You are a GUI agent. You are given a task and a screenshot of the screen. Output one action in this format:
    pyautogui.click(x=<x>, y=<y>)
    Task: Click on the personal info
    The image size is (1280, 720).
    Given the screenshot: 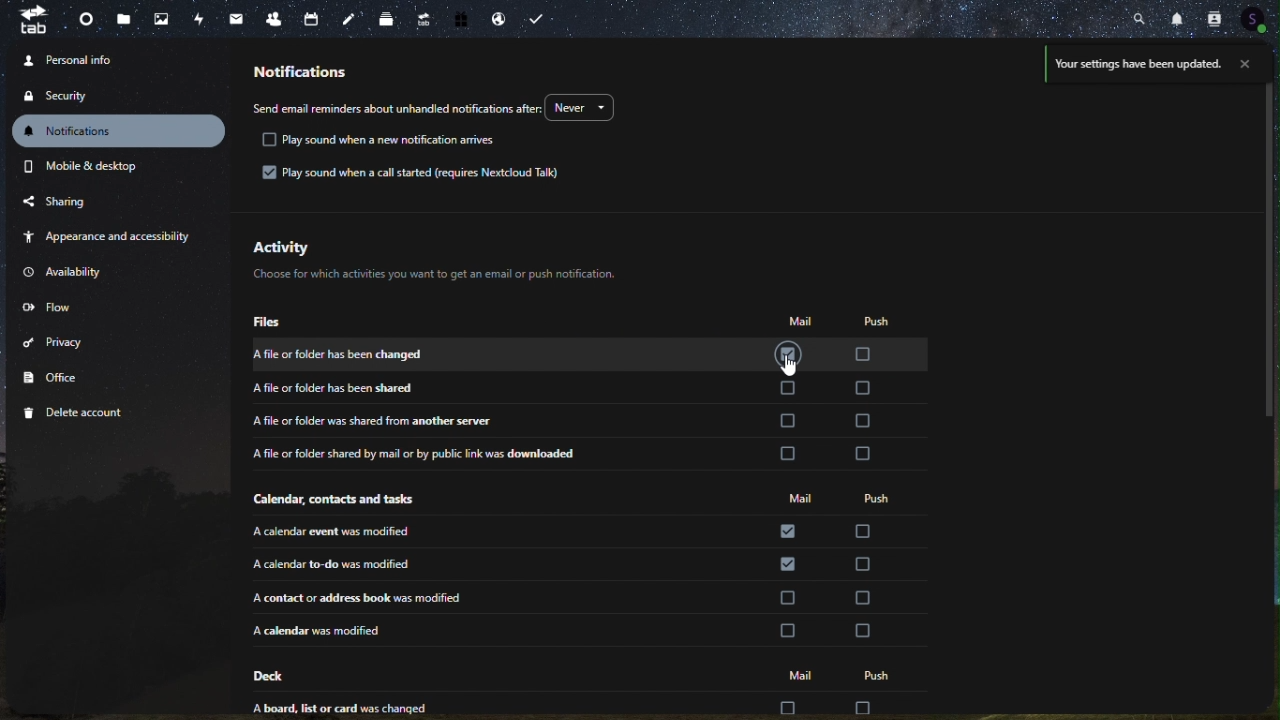 What is the action you would take?
    pyautogui.click(x=118, y=61)
    